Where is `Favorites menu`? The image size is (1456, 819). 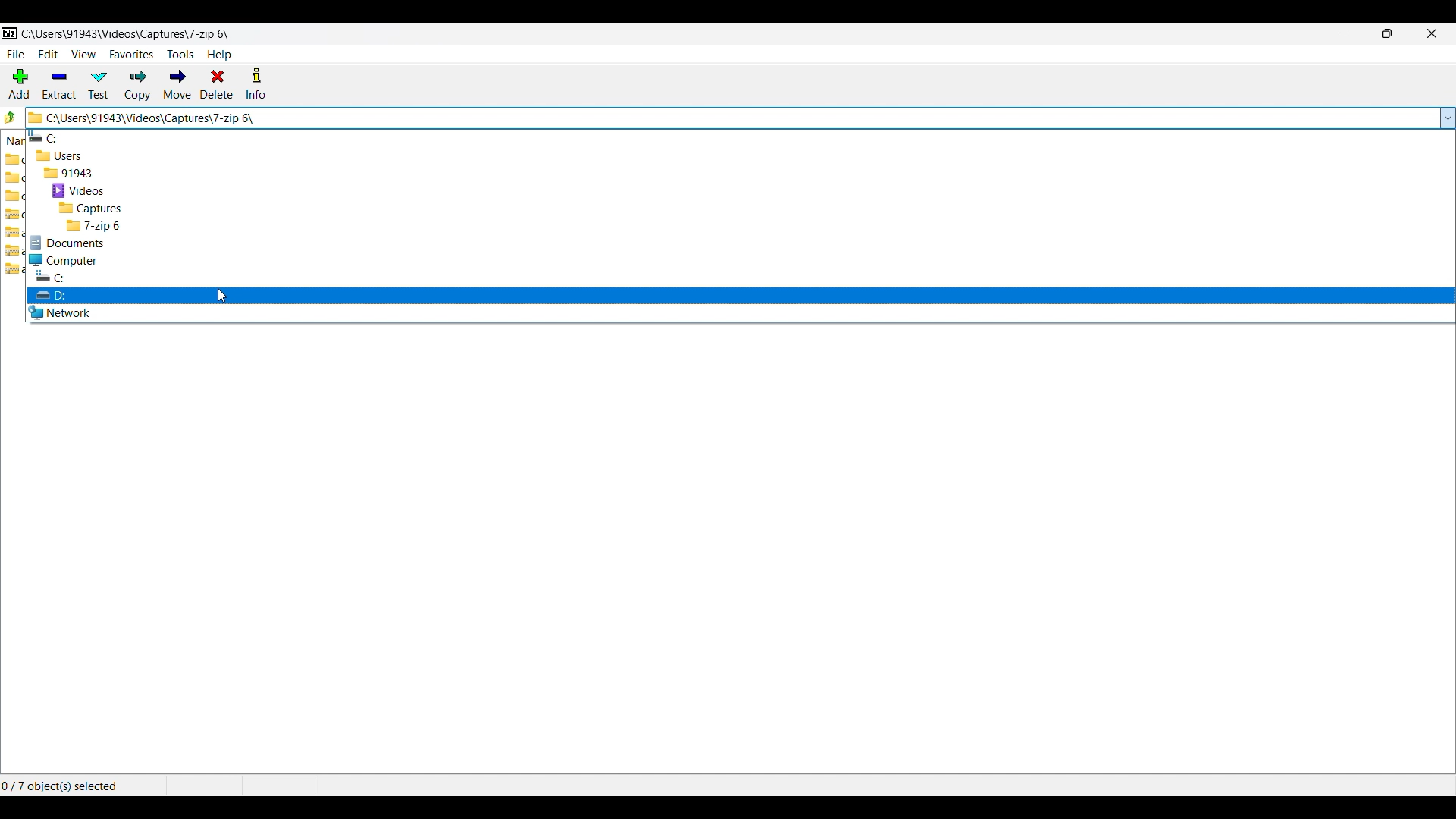
Favorites menu is located at coordinates (131, 55).